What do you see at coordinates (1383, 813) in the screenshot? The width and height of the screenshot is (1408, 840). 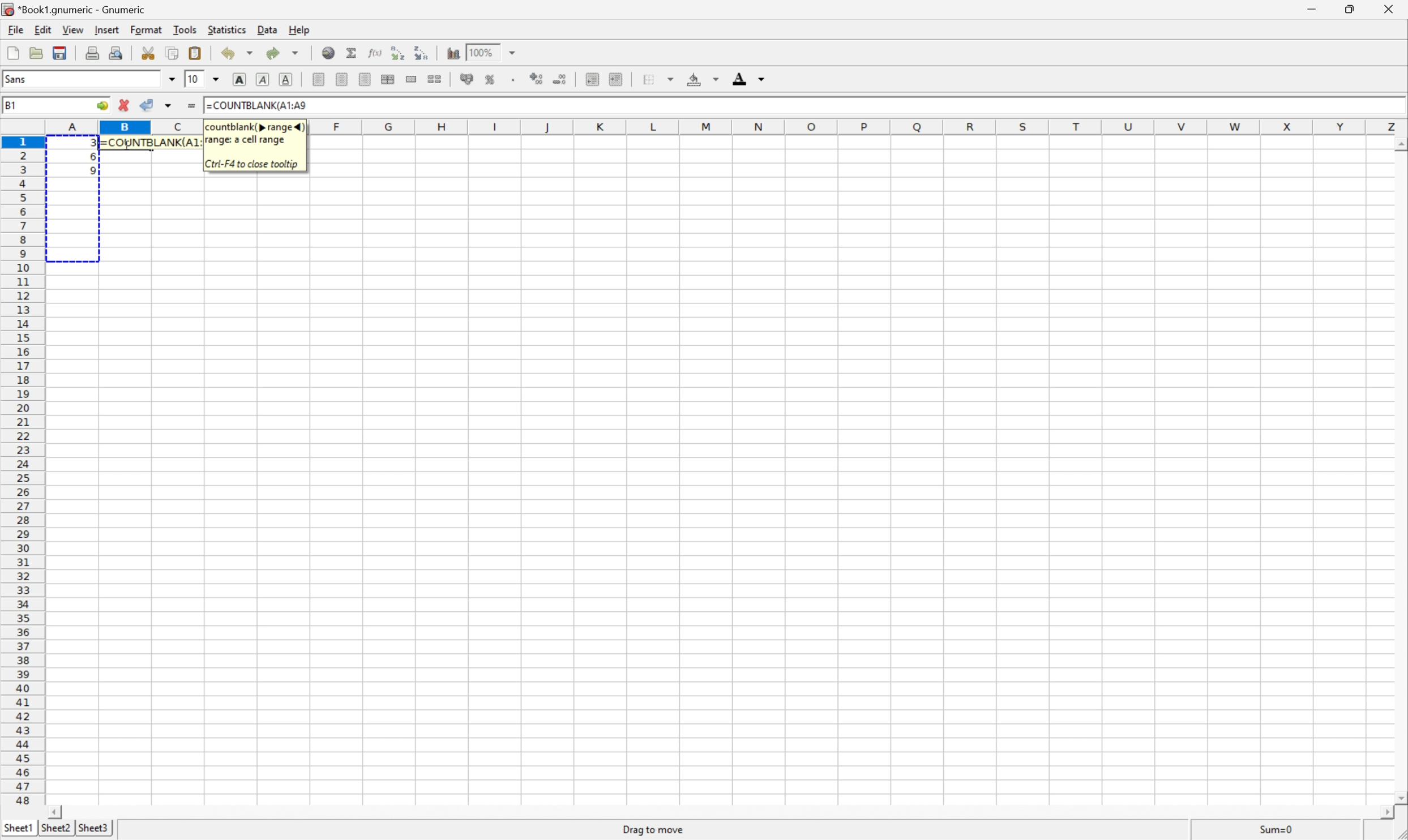 I see `Scroll Right` at bounding box center [1383, 813].